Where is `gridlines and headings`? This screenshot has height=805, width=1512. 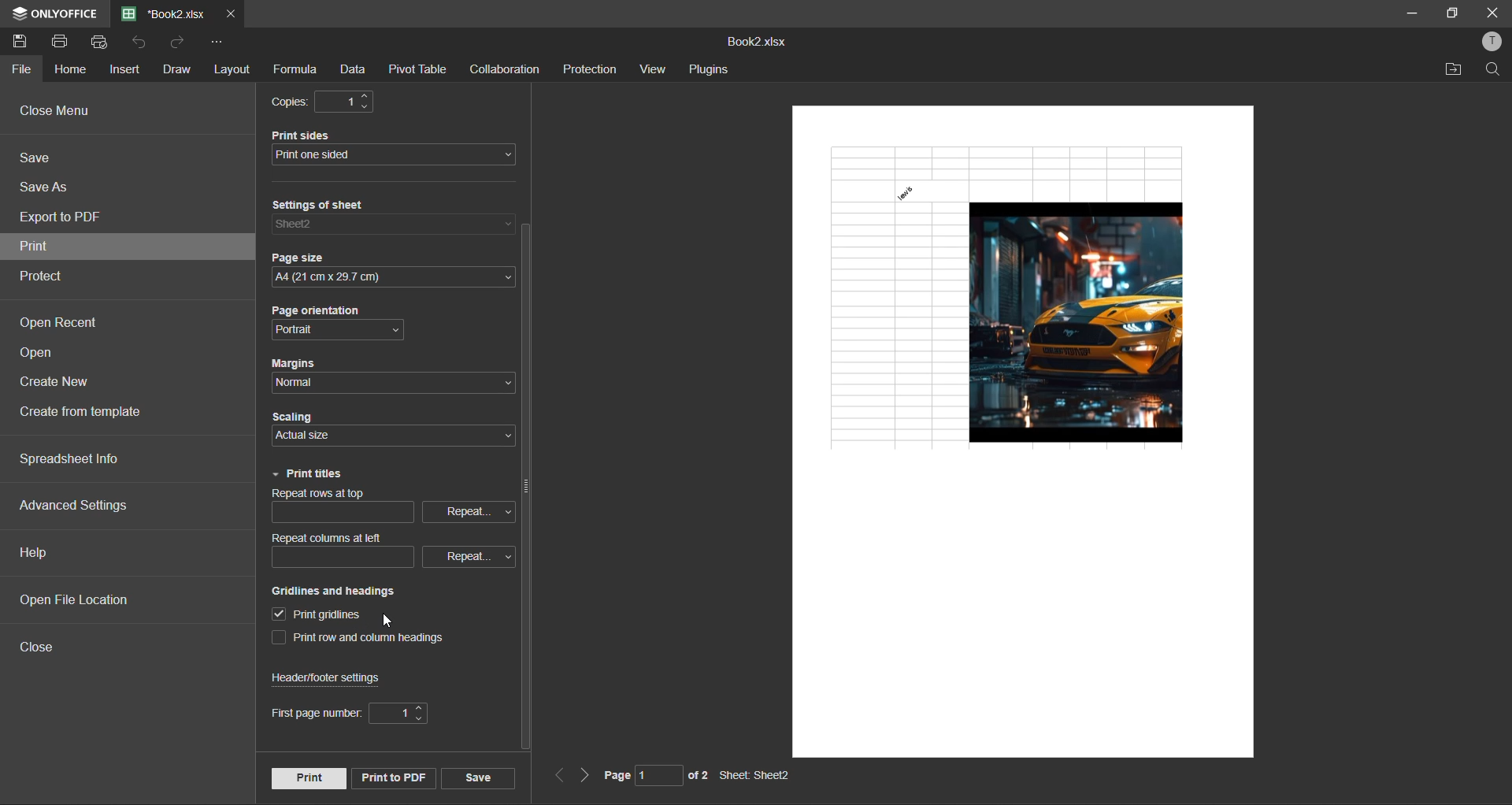 gridlines and headings is located at coordinates (335, 593).